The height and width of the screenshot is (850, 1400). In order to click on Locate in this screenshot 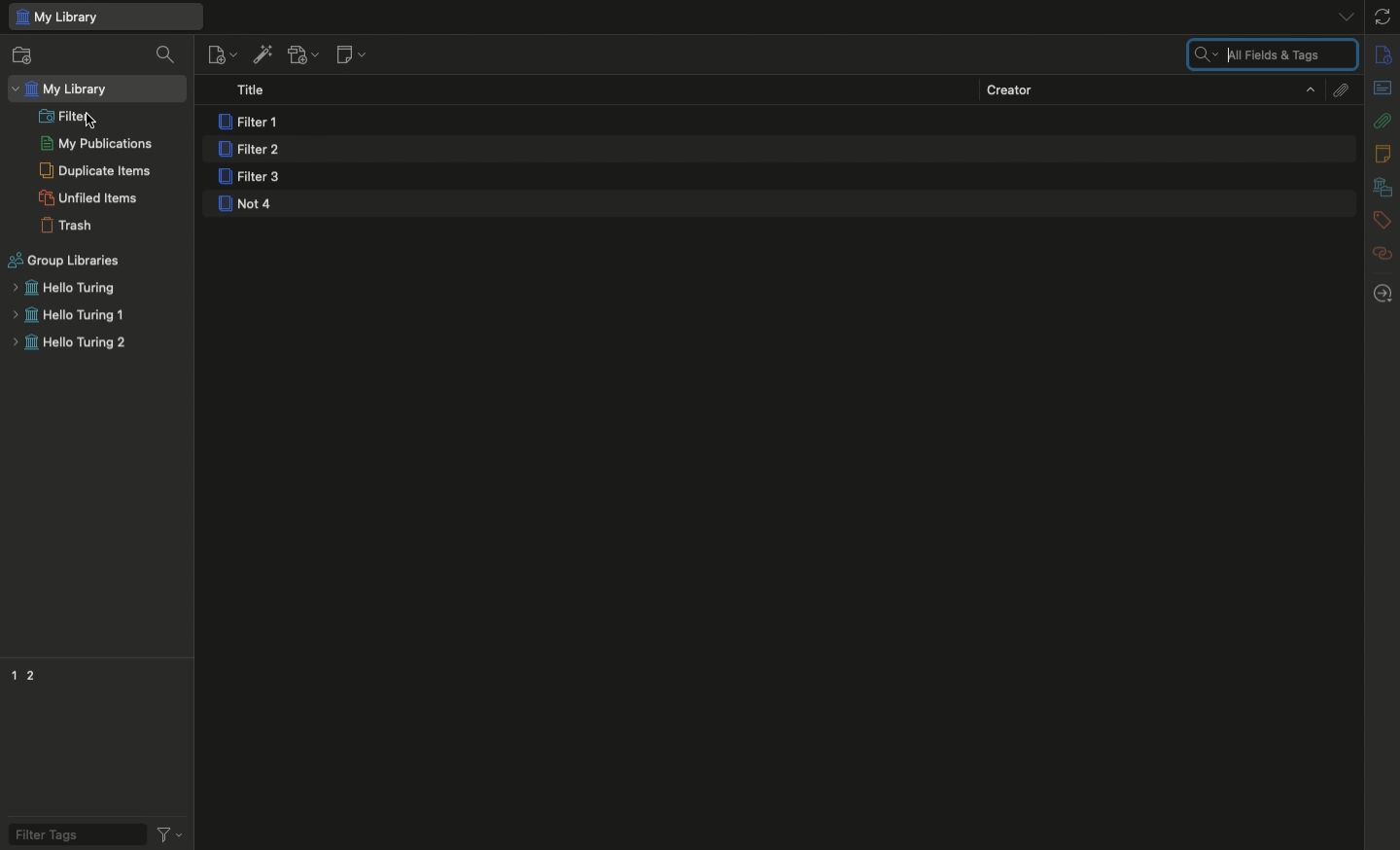, I will do `click(1382, 294)`.